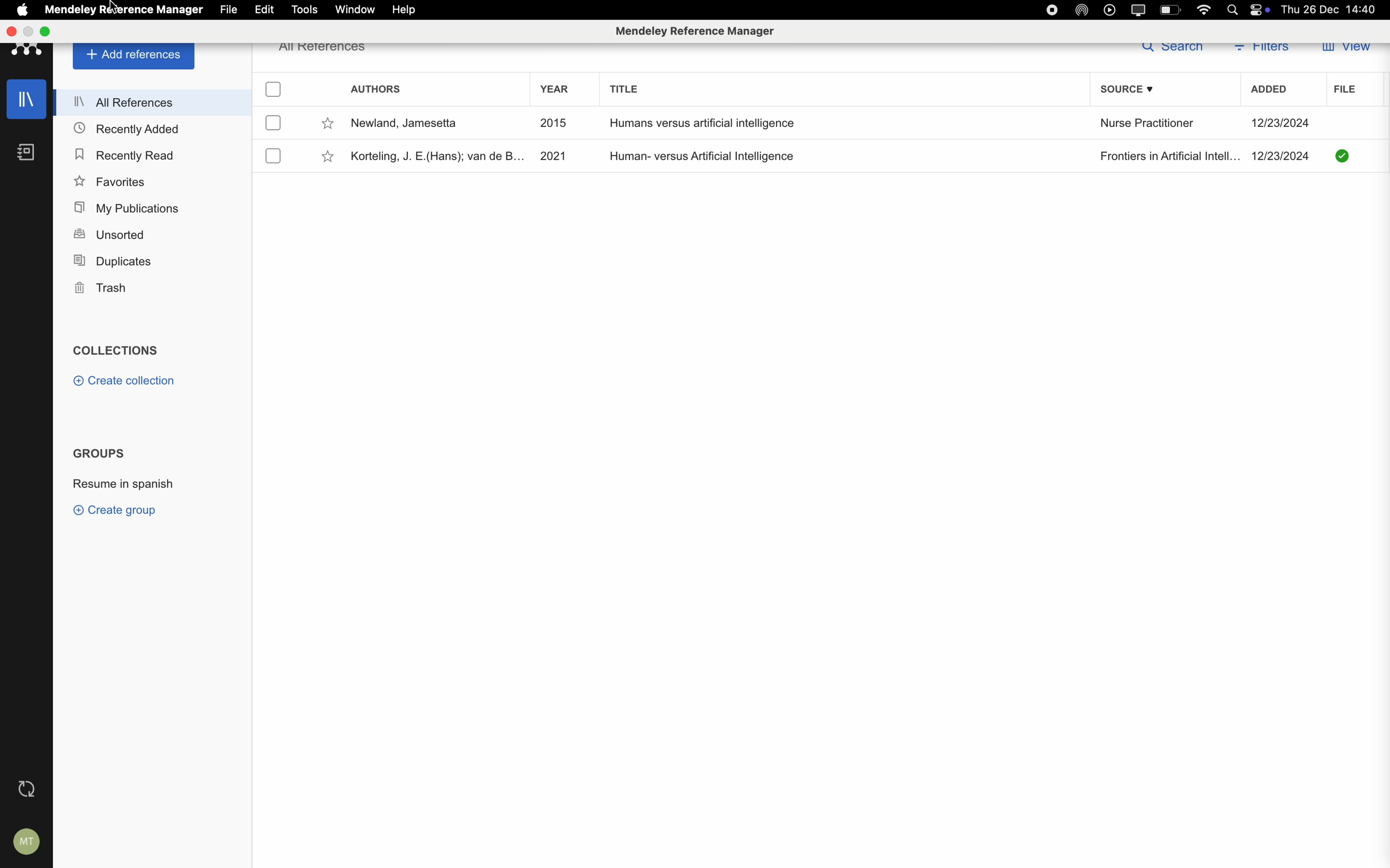  Describe the element at coordinates (18, 10) in the screenshot. I see `Apple icon` at that location.